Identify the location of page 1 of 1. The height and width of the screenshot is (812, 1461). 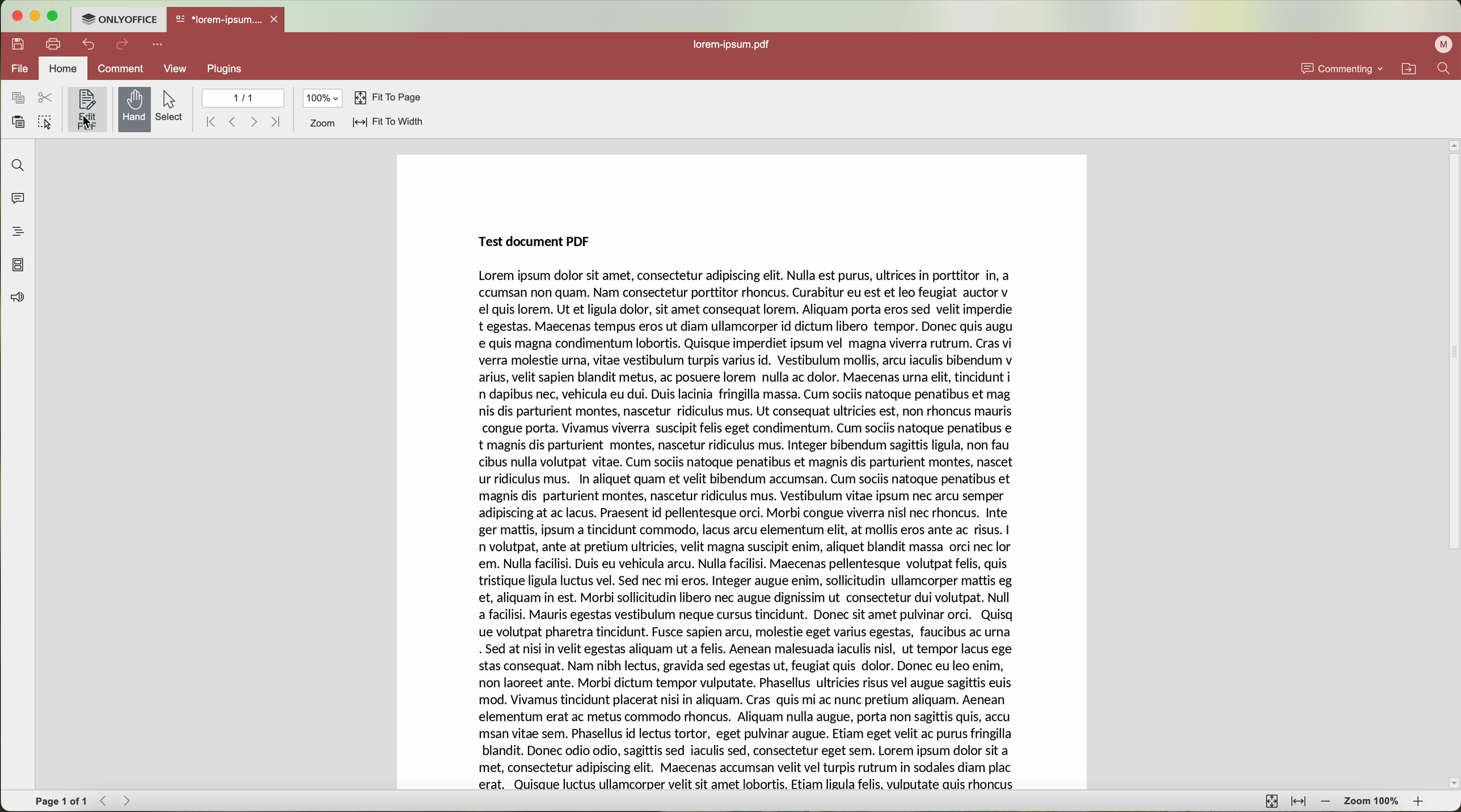
(62, 802).